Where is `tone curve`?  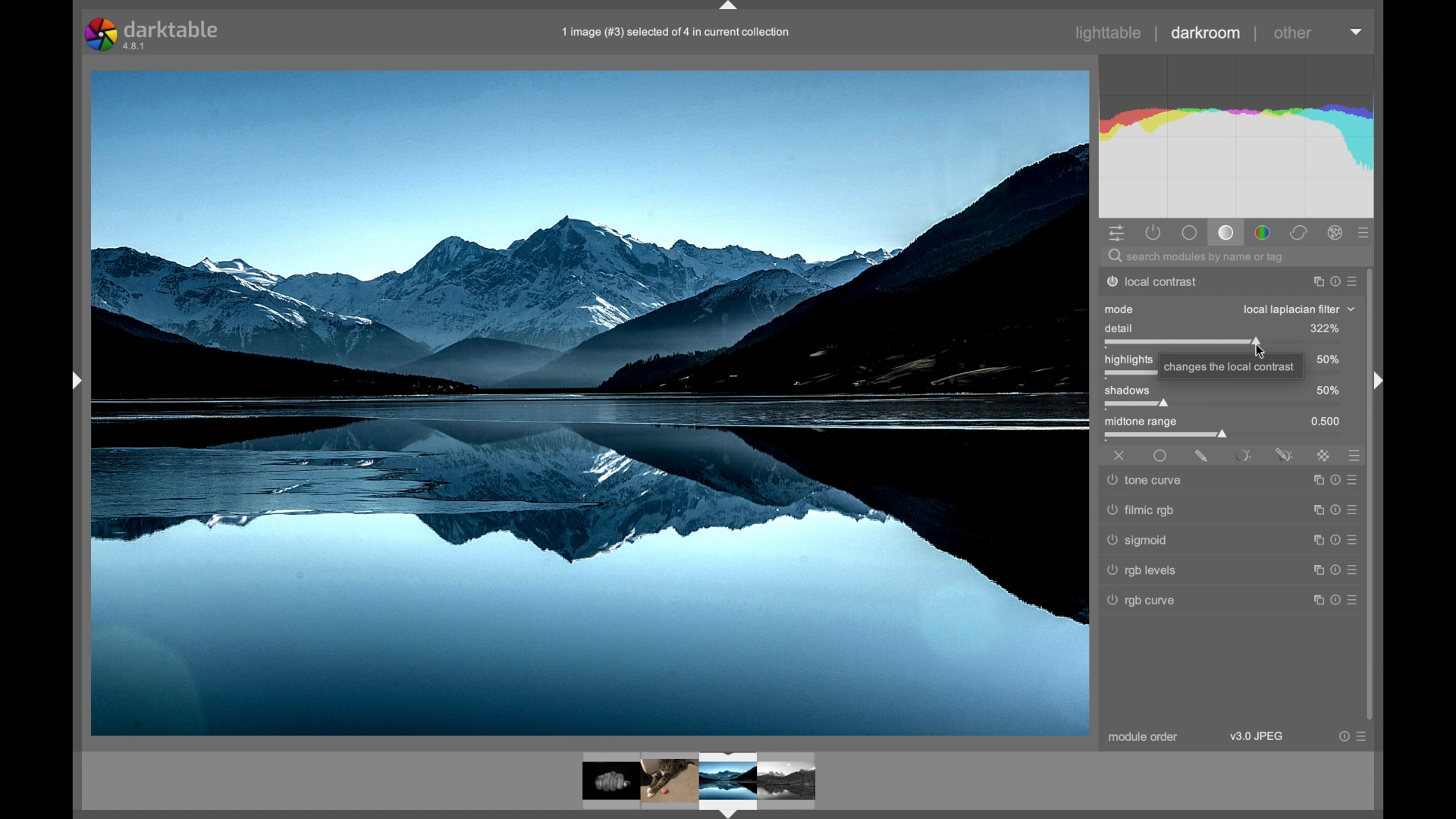
tone curve is located at coordinates (1147, 479).